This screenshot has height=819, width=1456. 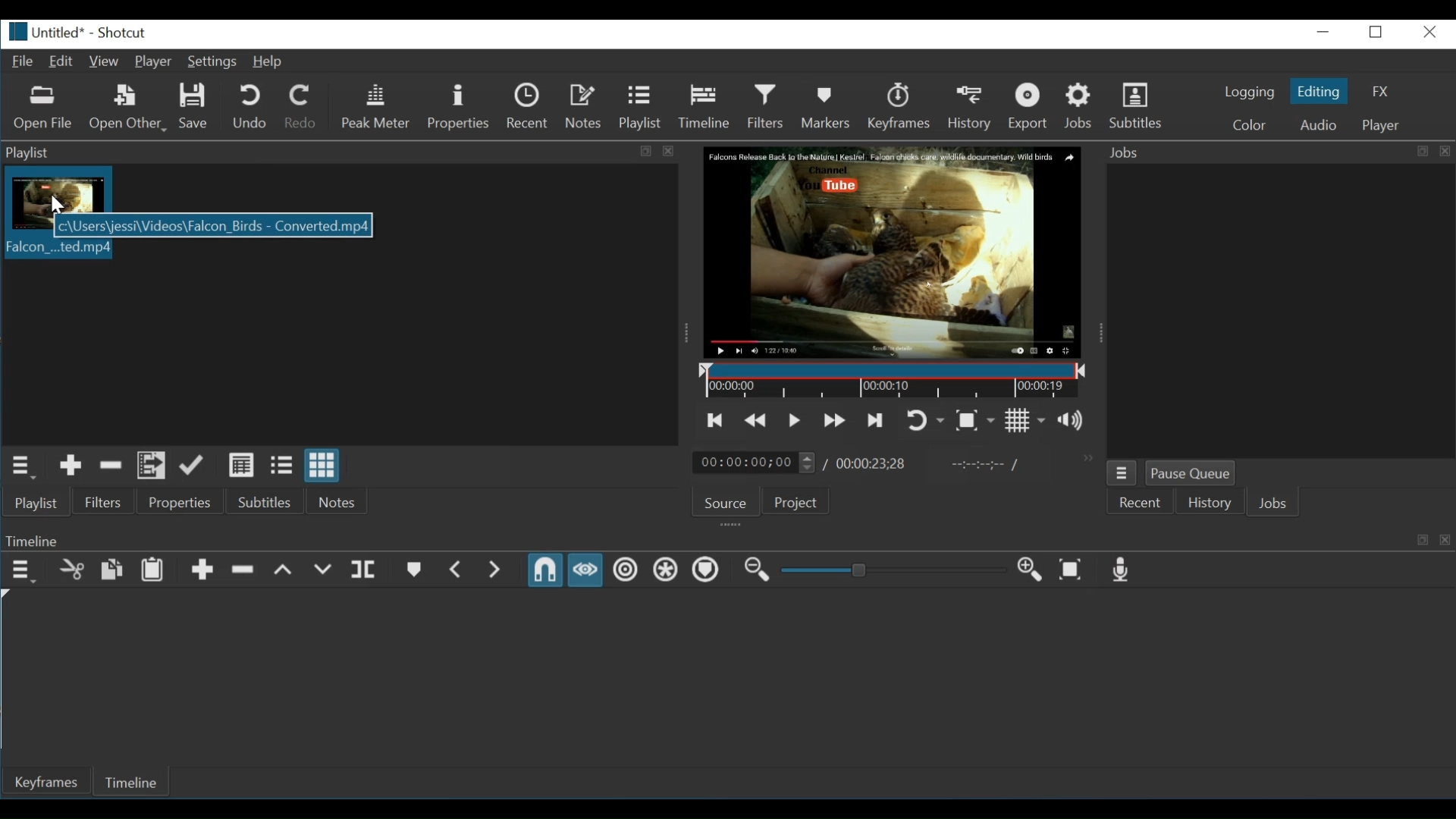 I want to click on logging, so click(x=1250, y=93).